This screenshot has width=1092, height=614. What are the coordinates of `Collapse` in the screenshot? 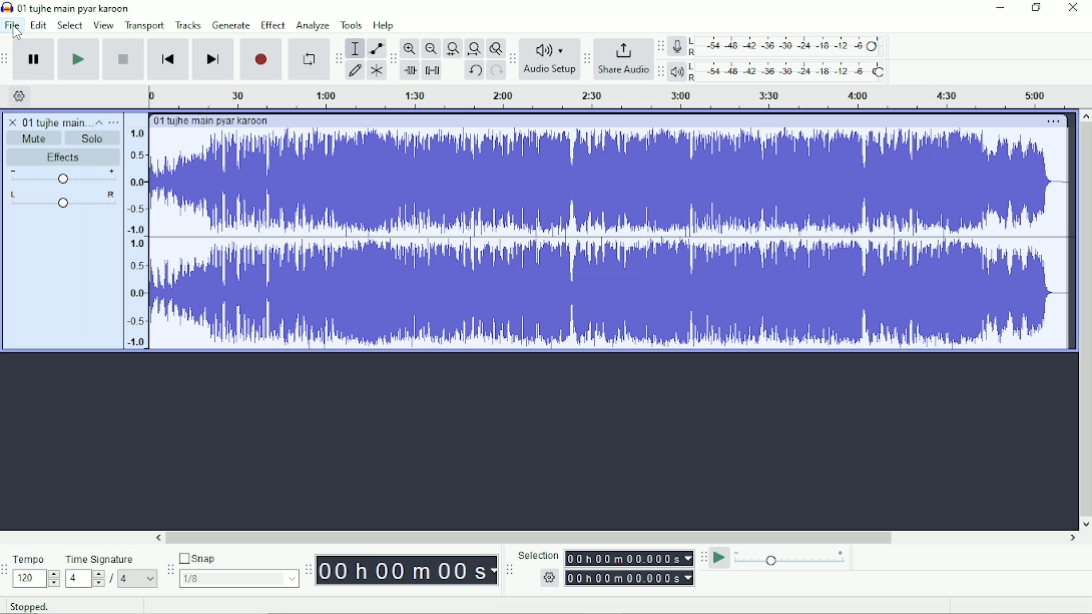 It's located at (98, 122).